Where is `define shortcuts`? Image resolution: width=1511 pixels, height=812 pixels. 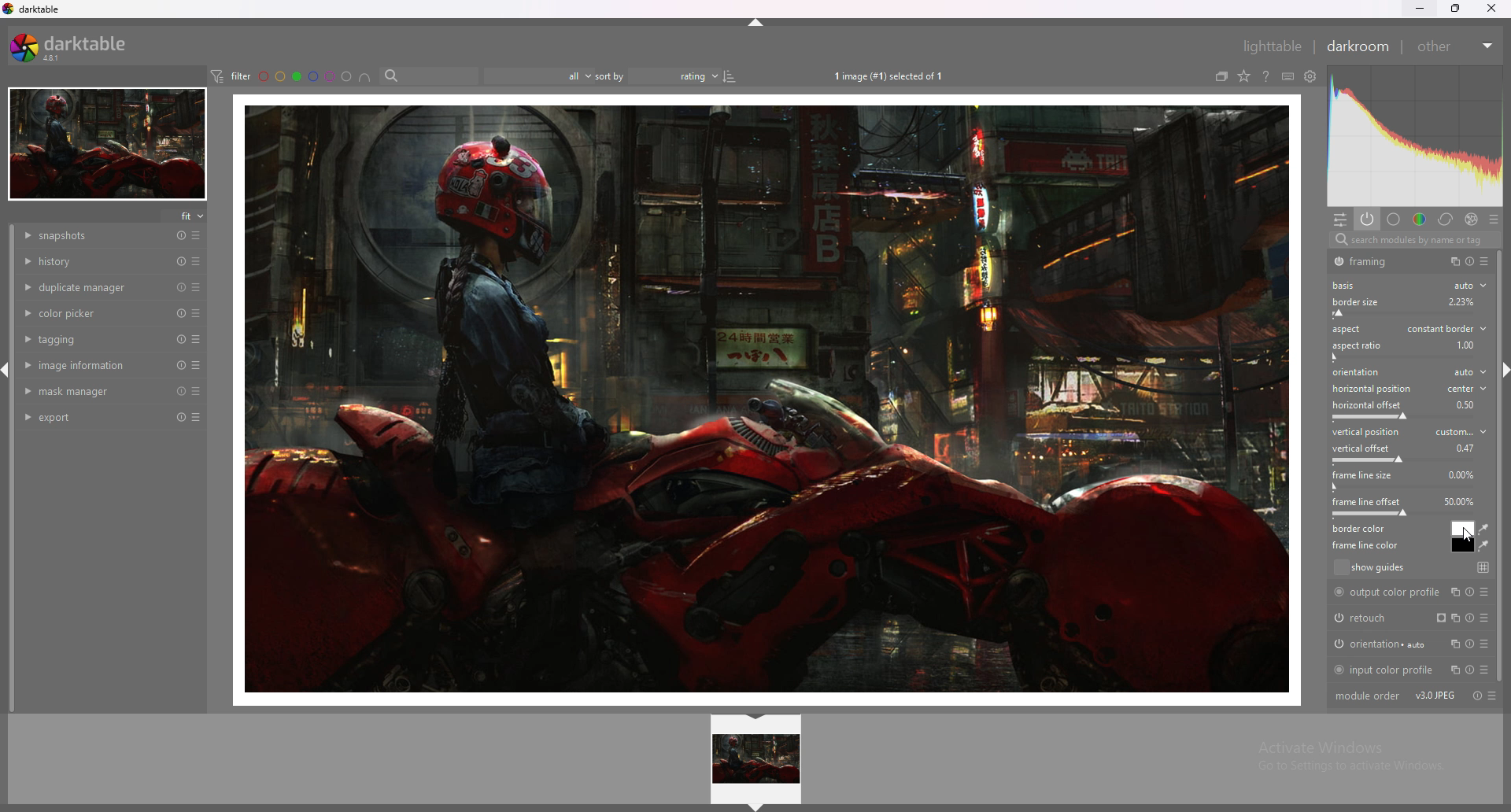 define shortcuts is located at coordinates (1287, 76).